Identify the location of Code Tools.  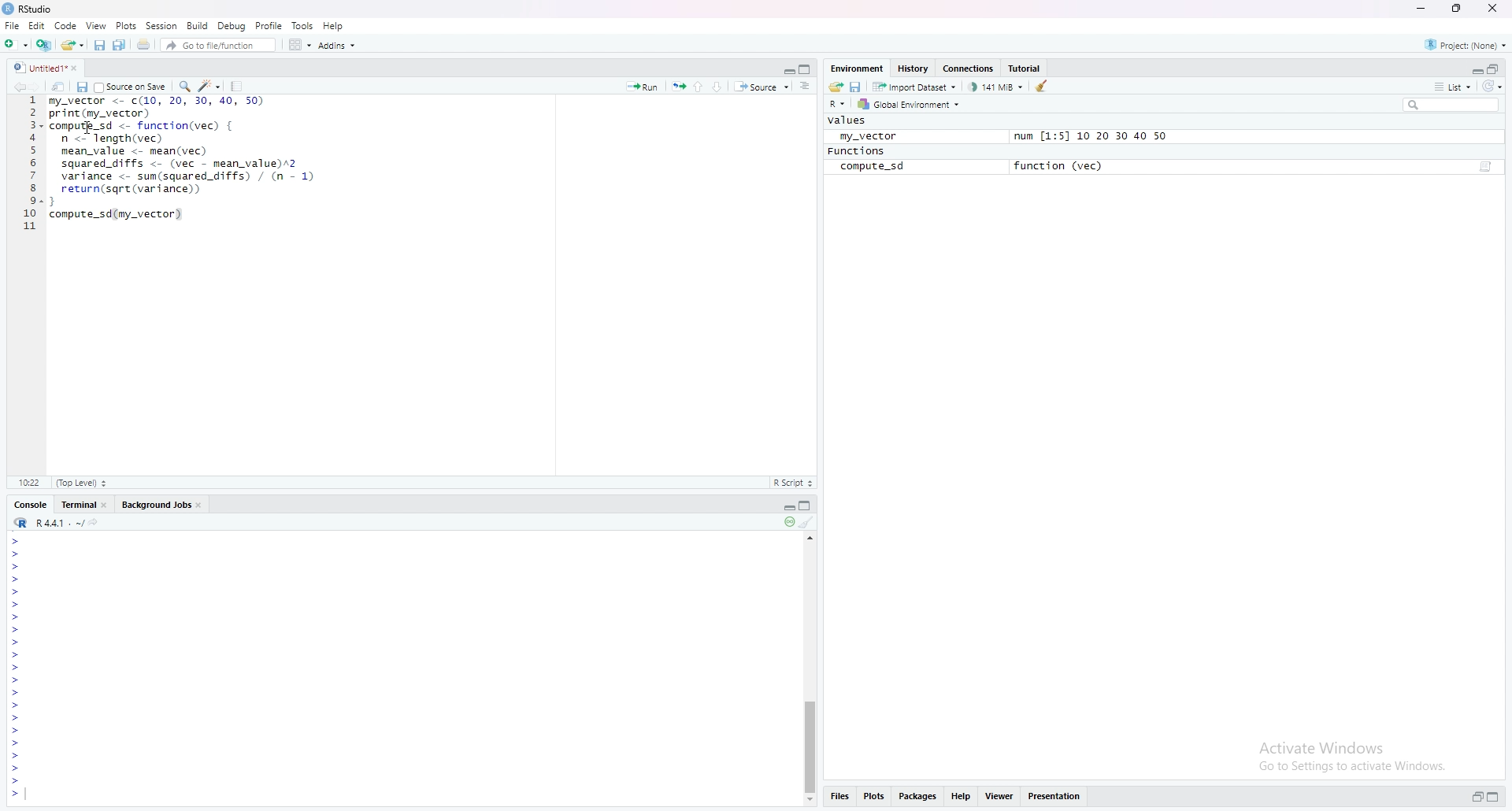
(210, 85).